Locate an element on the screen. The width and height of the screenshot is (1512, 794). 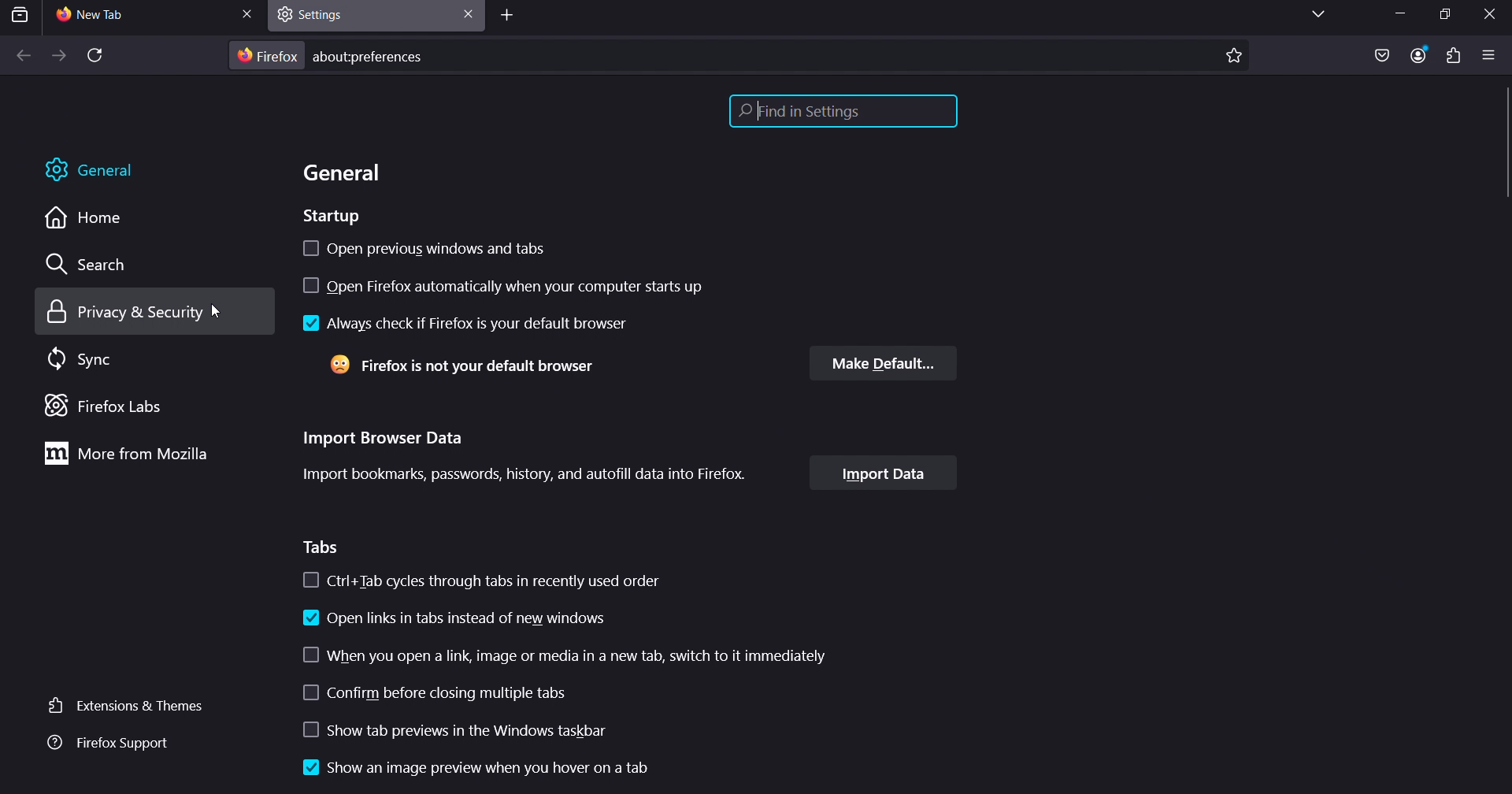
extensions & themes is located at coordinates (121, 704).